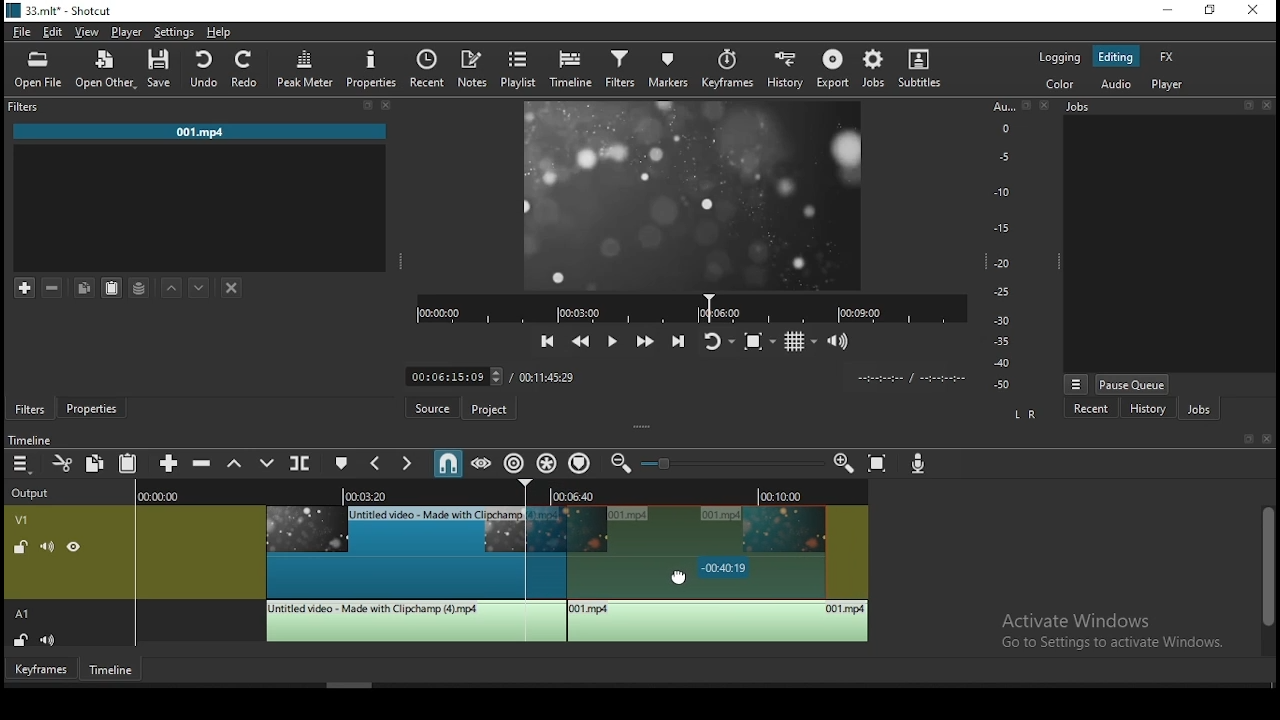 This screenshot has height=720, width=1280. Describe the element at coordinates (449, 462) in the screenshot. I see `snap` at that location.